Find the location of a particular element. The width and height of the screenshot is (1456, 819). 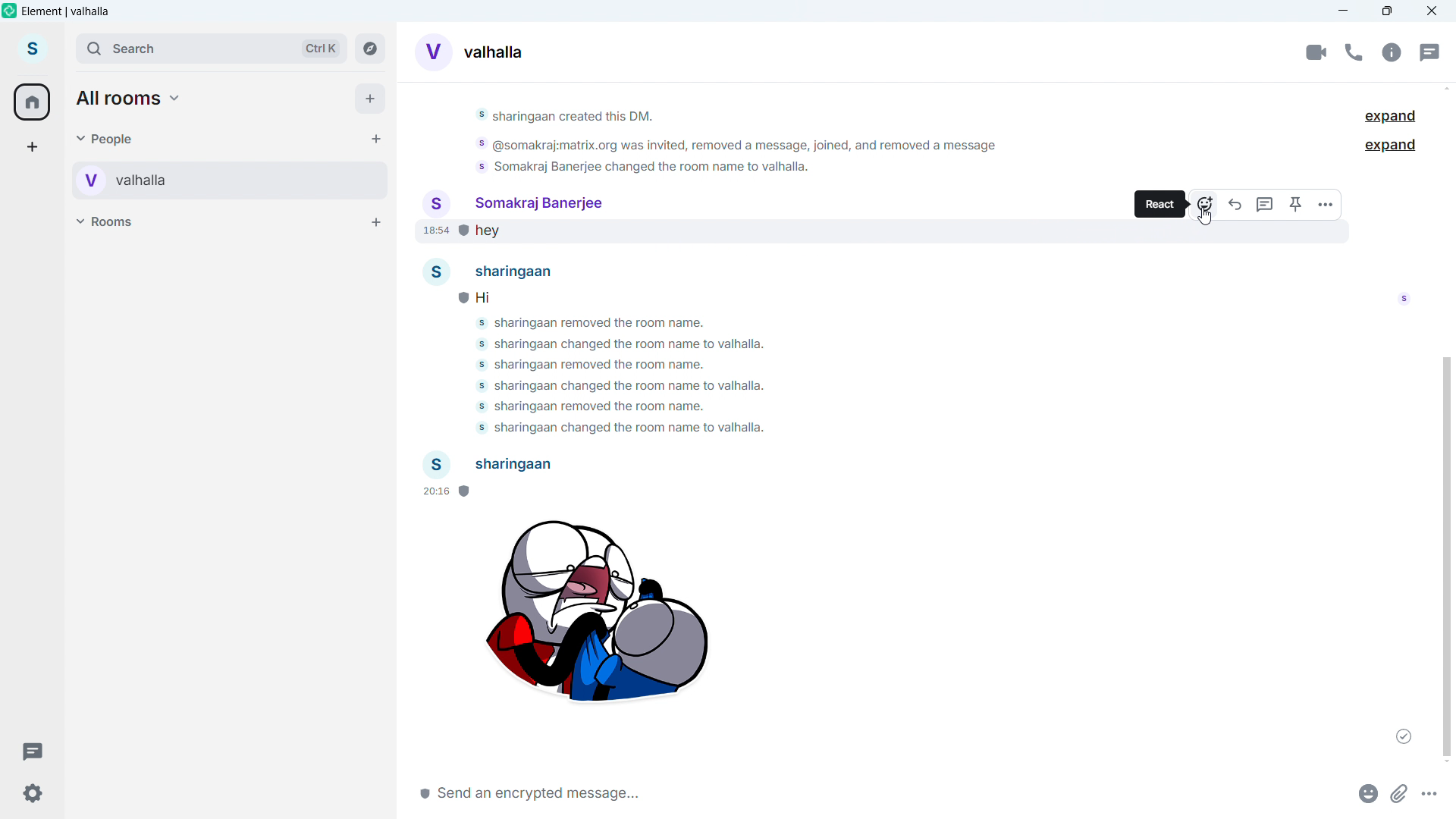

Somakraj banerjee is located at coordinates (513, 202).